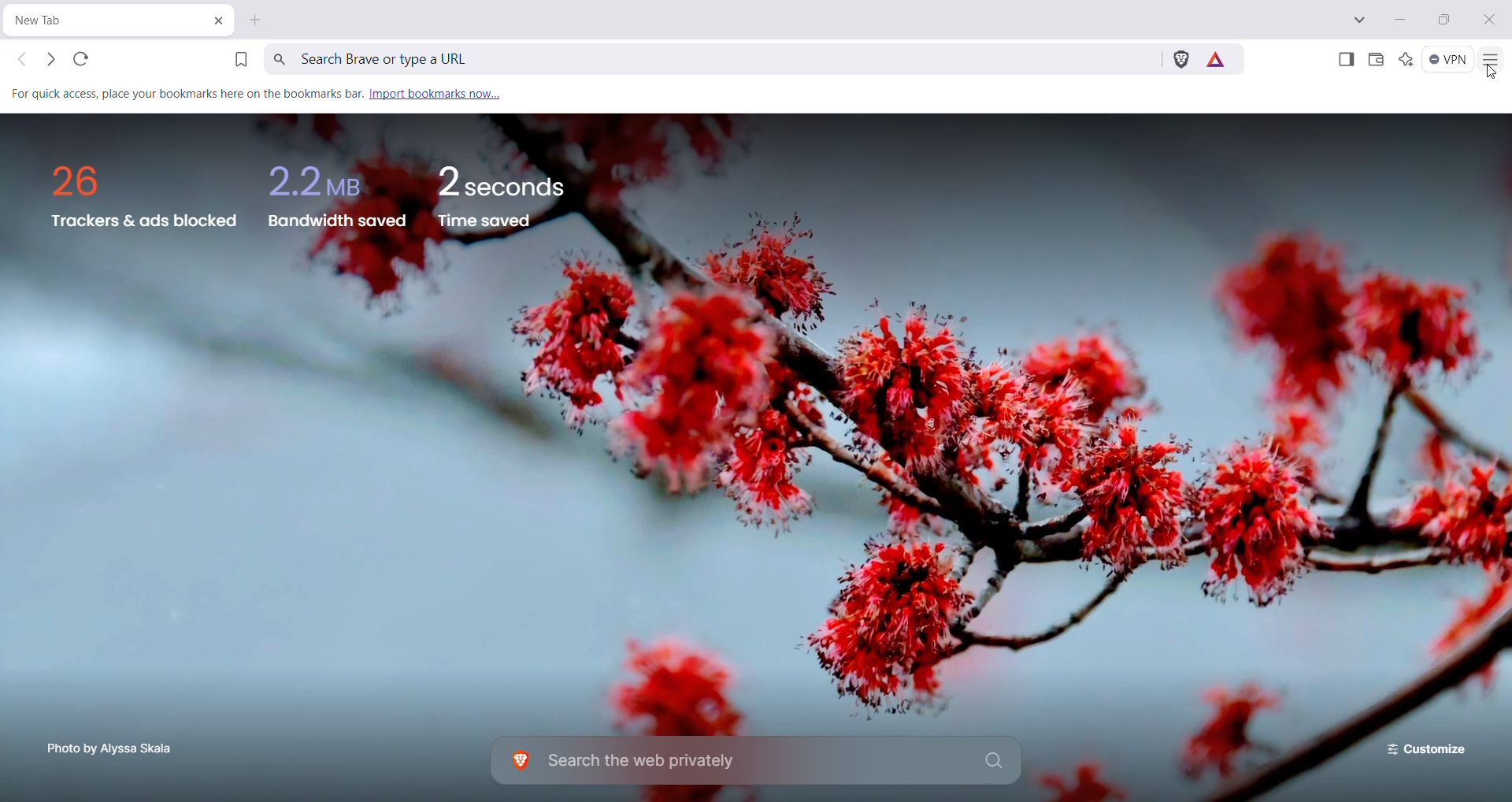  I want to click on Brave Shields, so click(1180, 59).